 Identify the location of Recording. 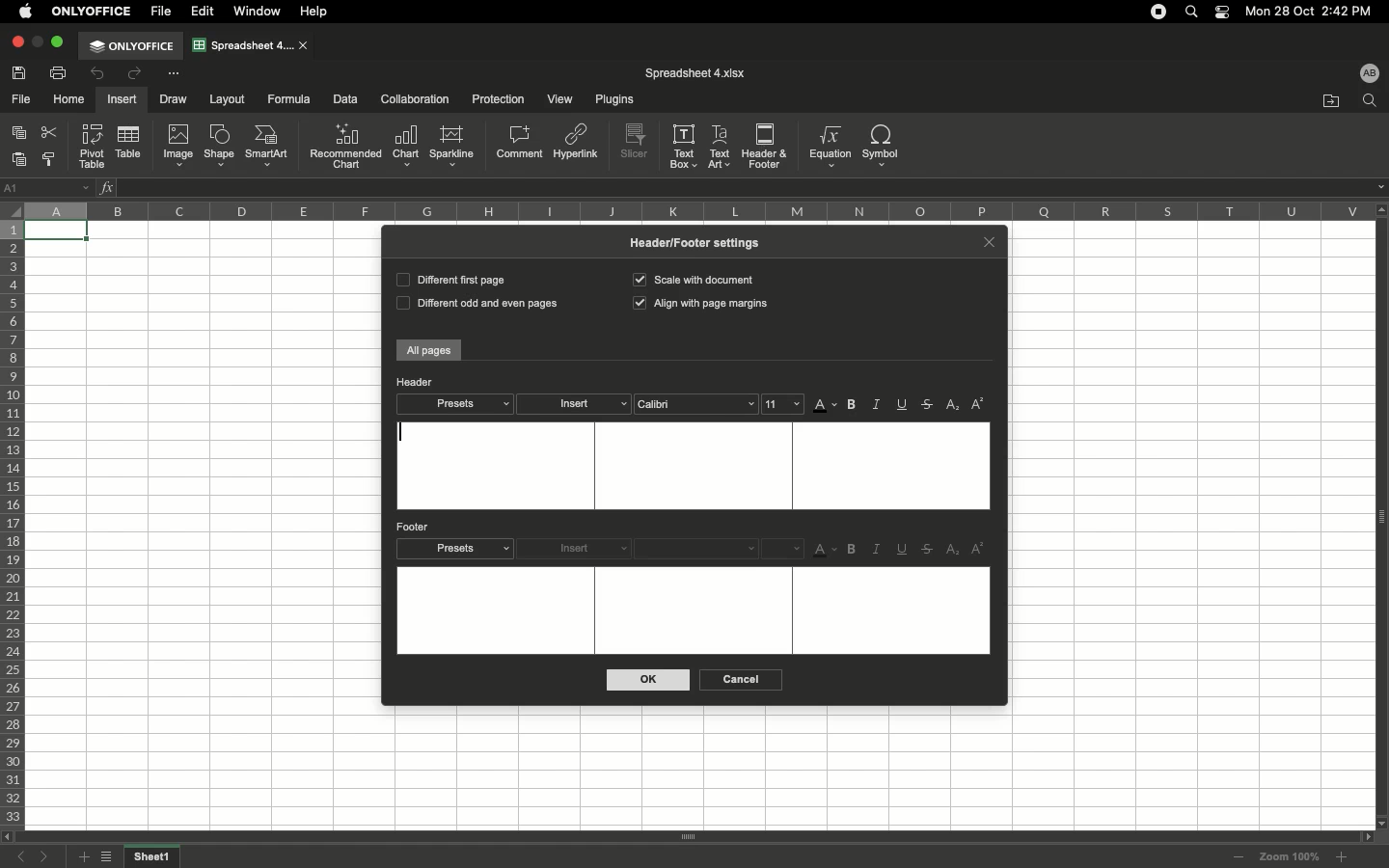
(1158, 12).